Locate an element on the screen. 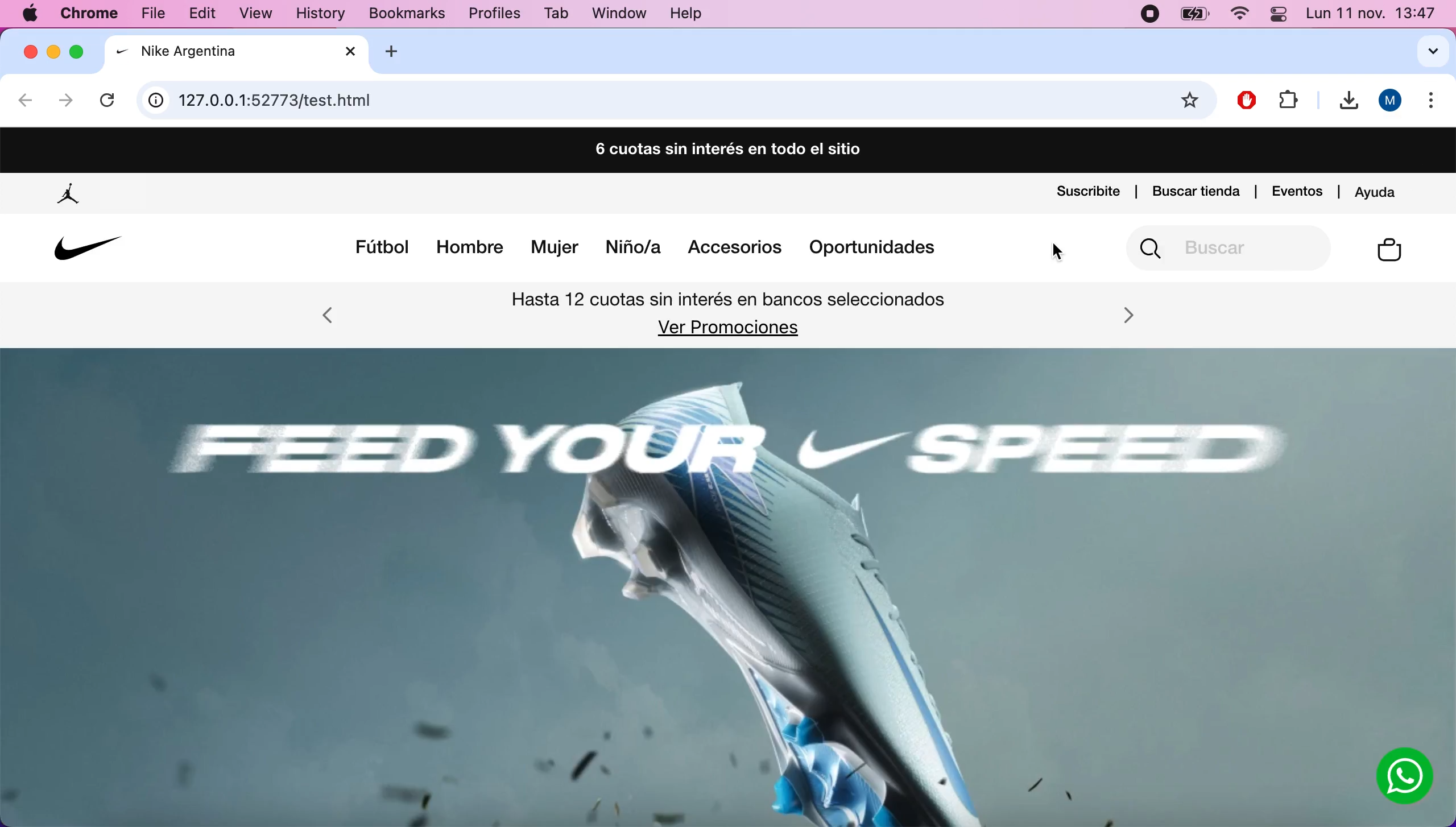  tab is located at coordinates (238, 53).